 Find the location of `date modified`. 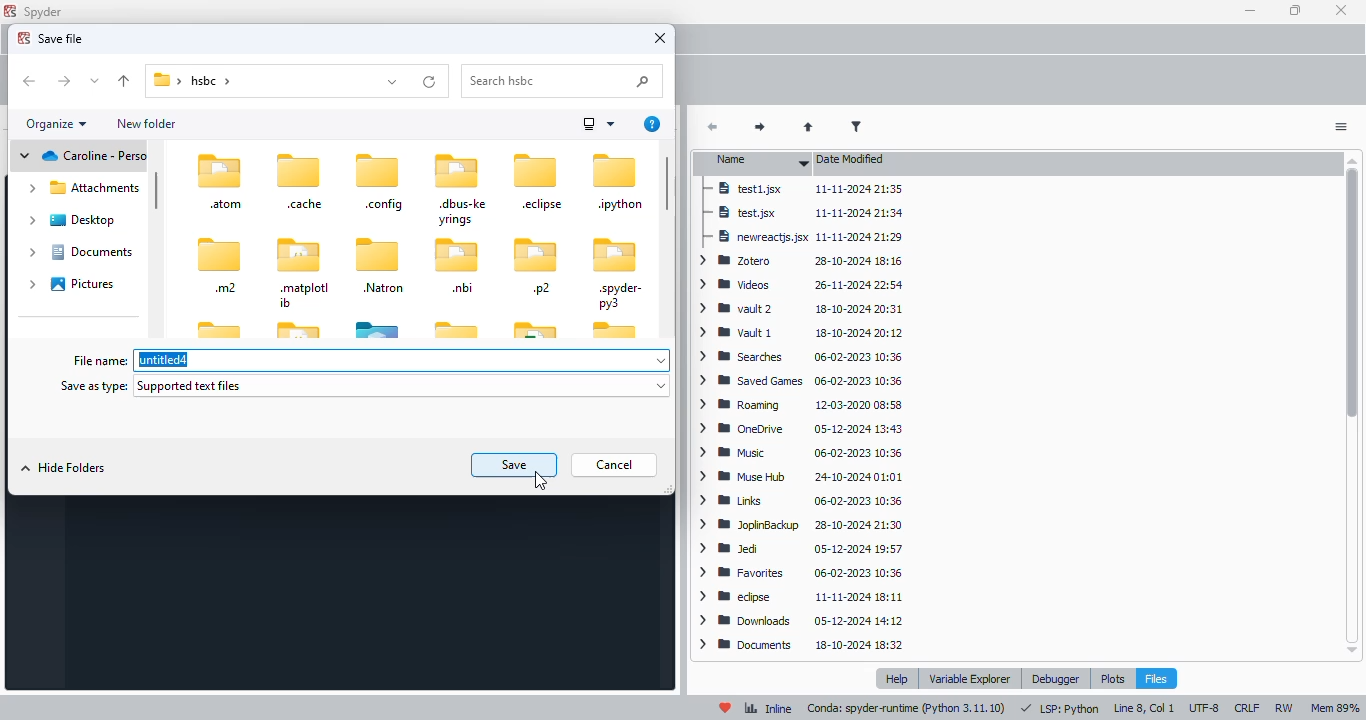

date modified is located at coordinates (853, 160).